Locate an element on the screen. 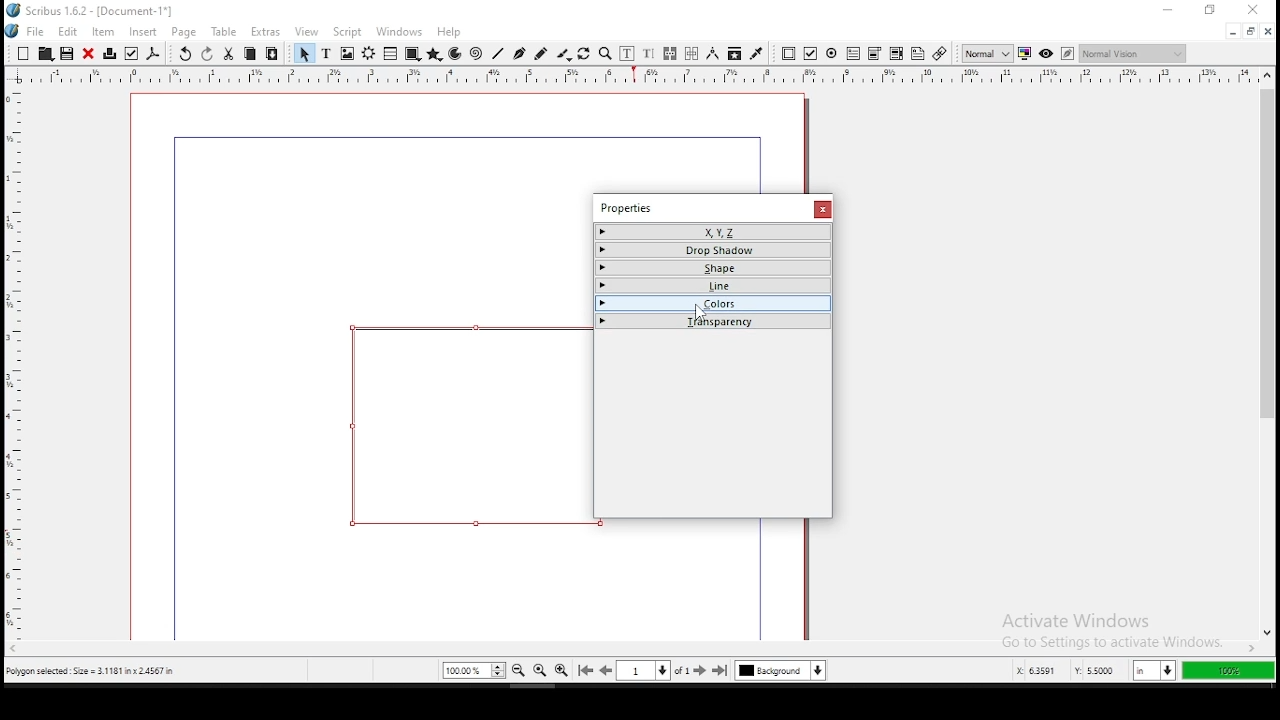 Image resolution: width=1280 pixels, height=720 pixels. rotate item is located at coordinates (584, 54).